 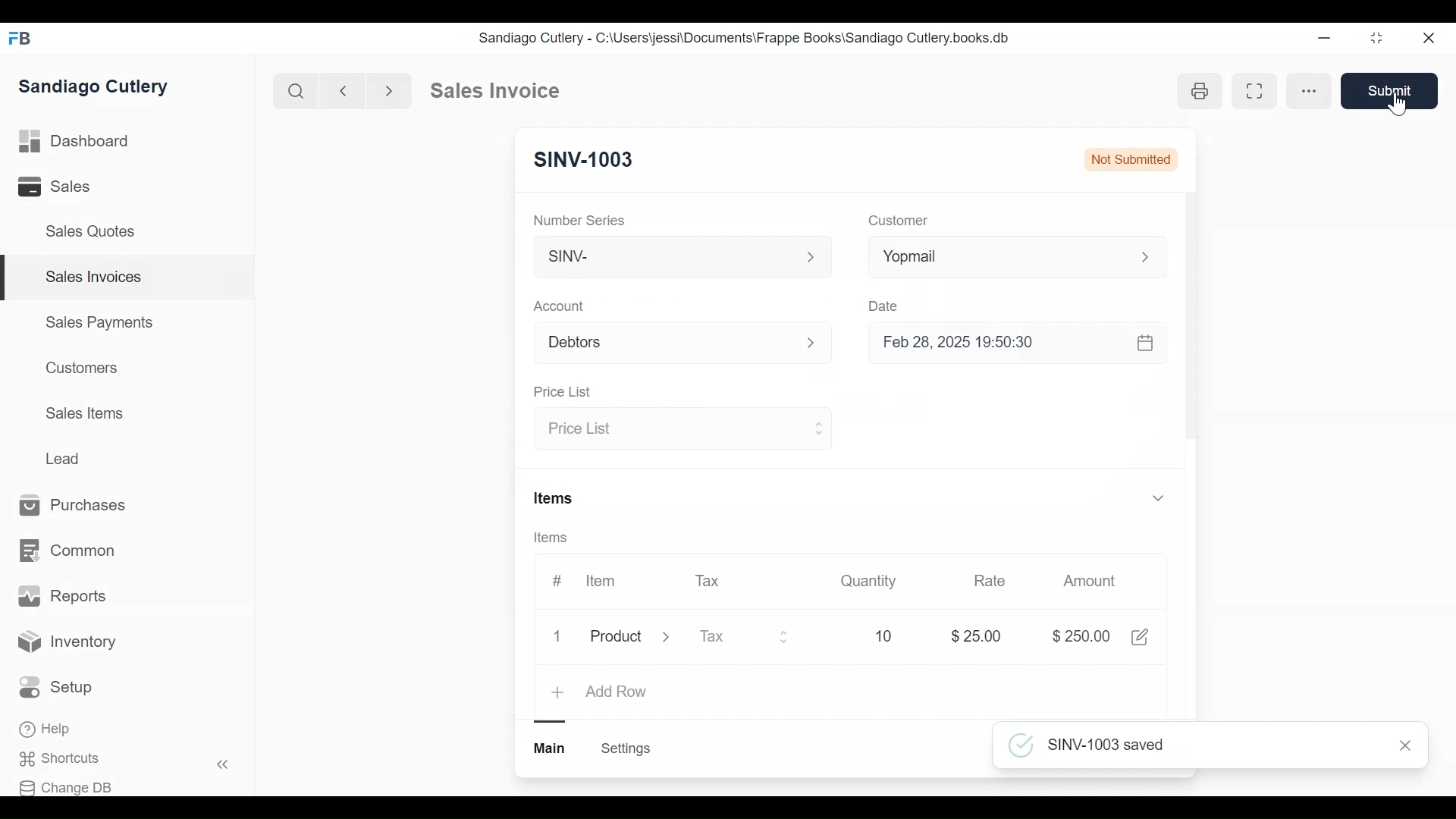 What do you see at coordinates (628, 748) in the screenshot?
I see `Settings` at bounding box center [628, 748].